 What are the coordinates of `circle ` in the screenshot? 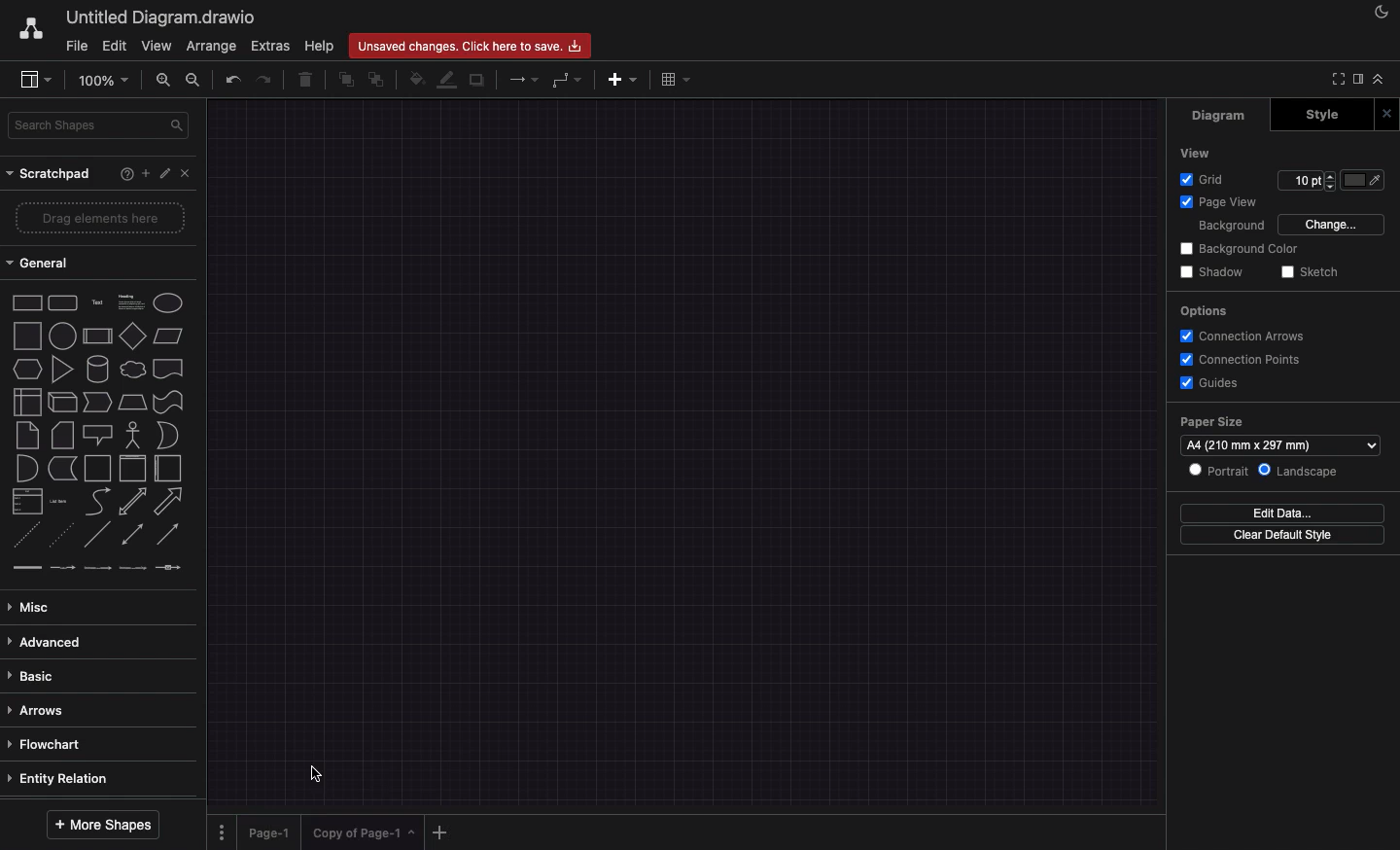 It's located at (64, 336).